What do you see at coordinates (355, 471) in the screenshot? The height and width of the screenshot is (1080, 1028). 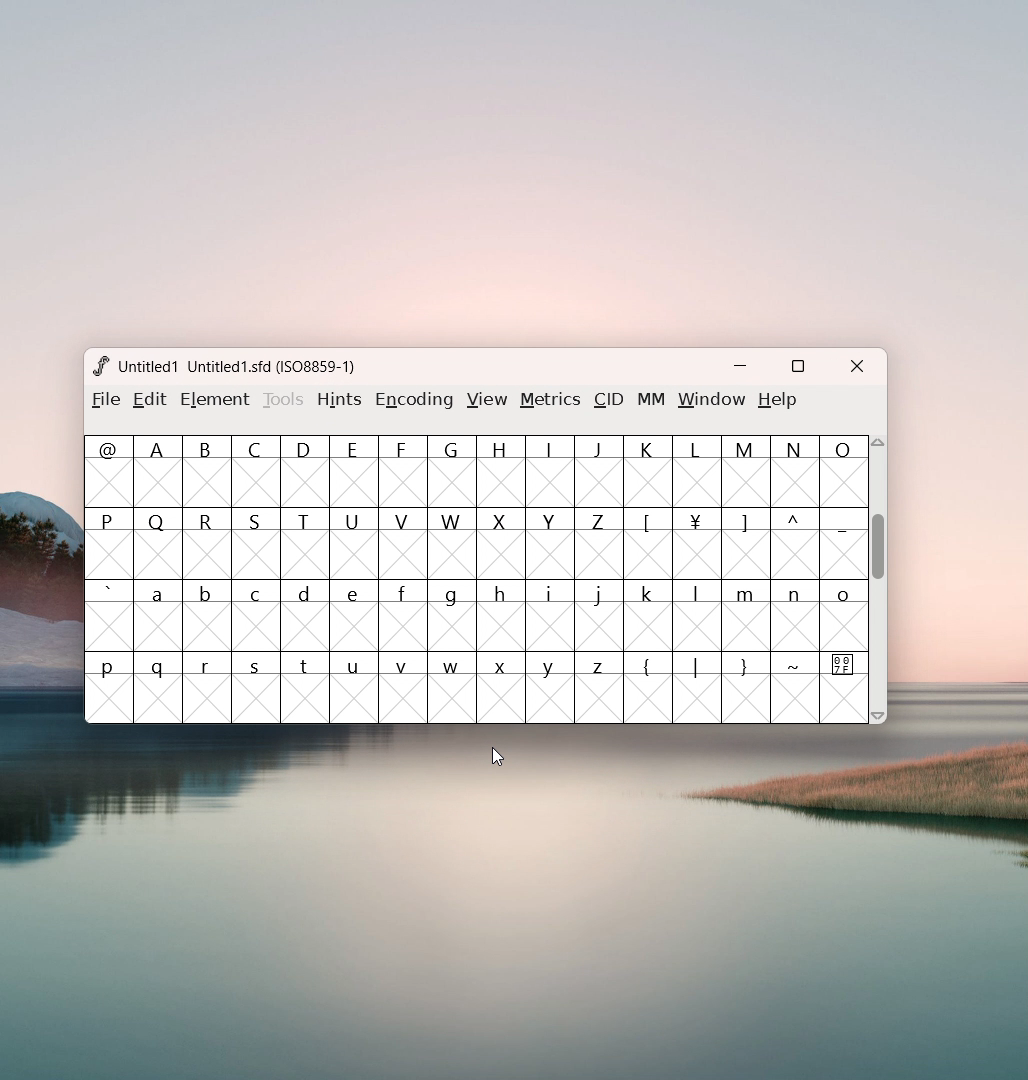 I see `` at bounding box center [355, 471].